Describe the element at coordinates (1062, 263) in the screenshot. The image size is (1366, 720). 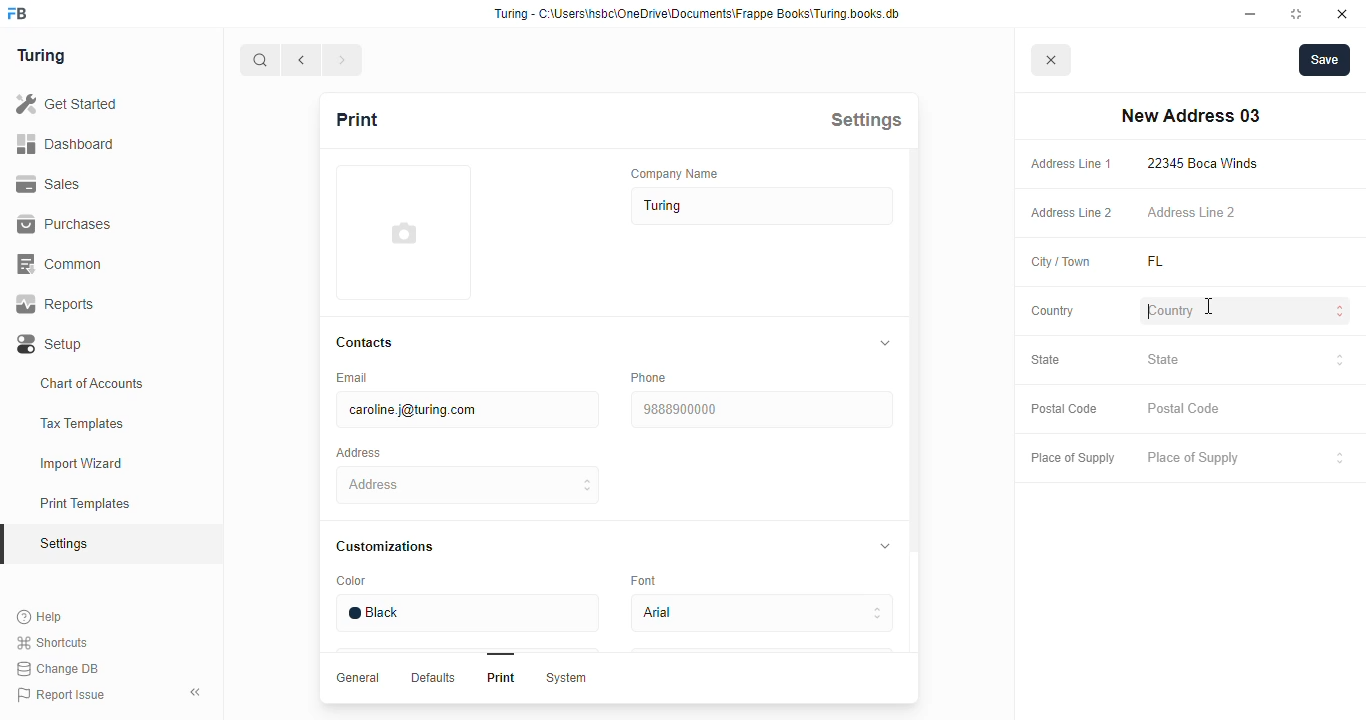
I see `city / town` at that location.